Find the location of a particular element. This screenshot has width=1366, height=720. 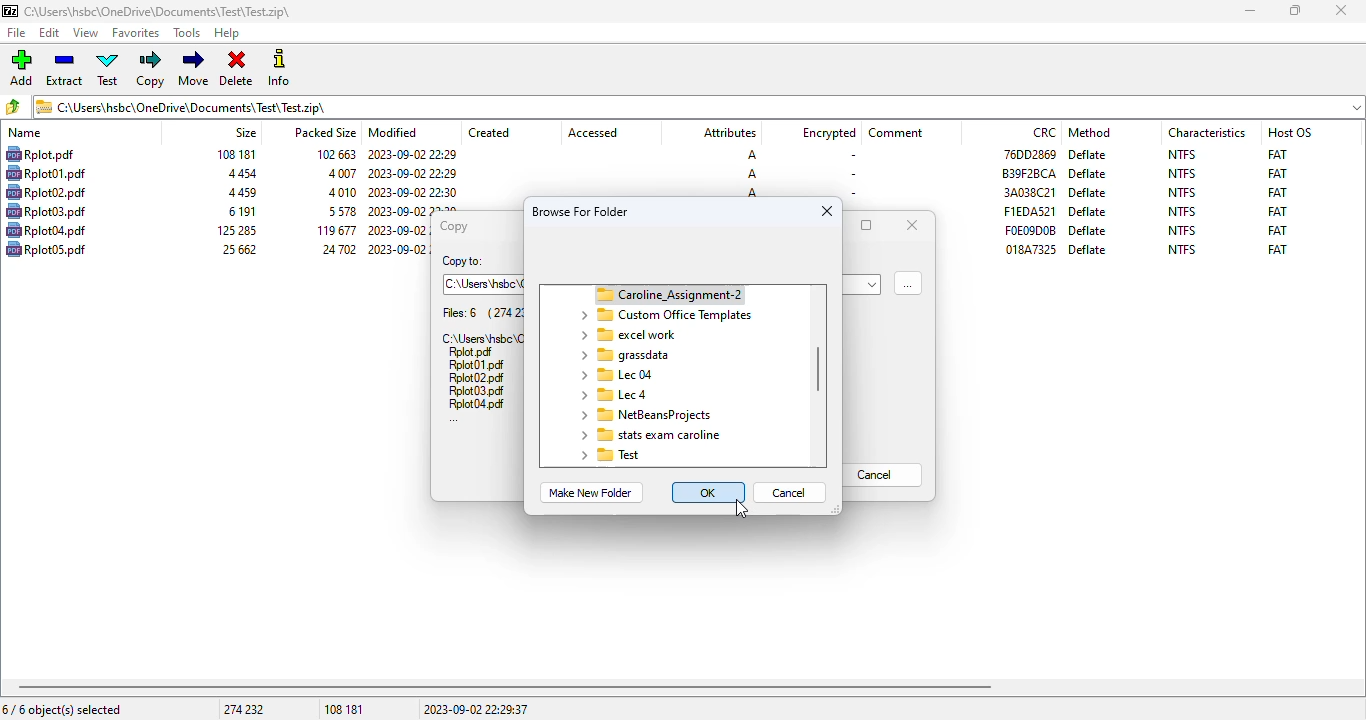

274 232 is located at coordinates (243, 709).